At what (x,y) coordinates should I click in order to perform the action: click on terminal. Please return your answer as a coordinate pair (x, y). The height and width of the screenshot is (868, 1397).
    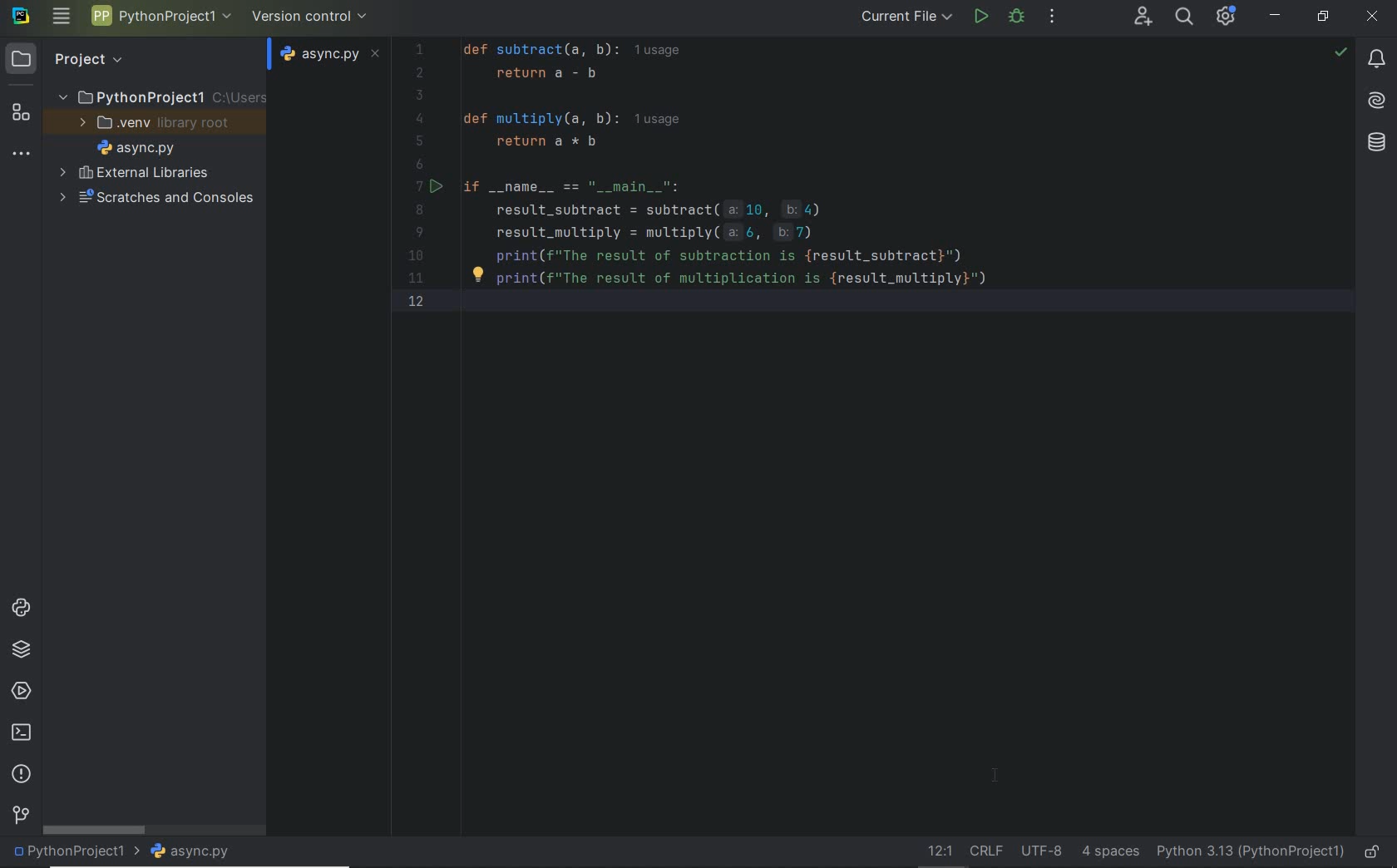
    Looking at the image, I should click on (23, 733).